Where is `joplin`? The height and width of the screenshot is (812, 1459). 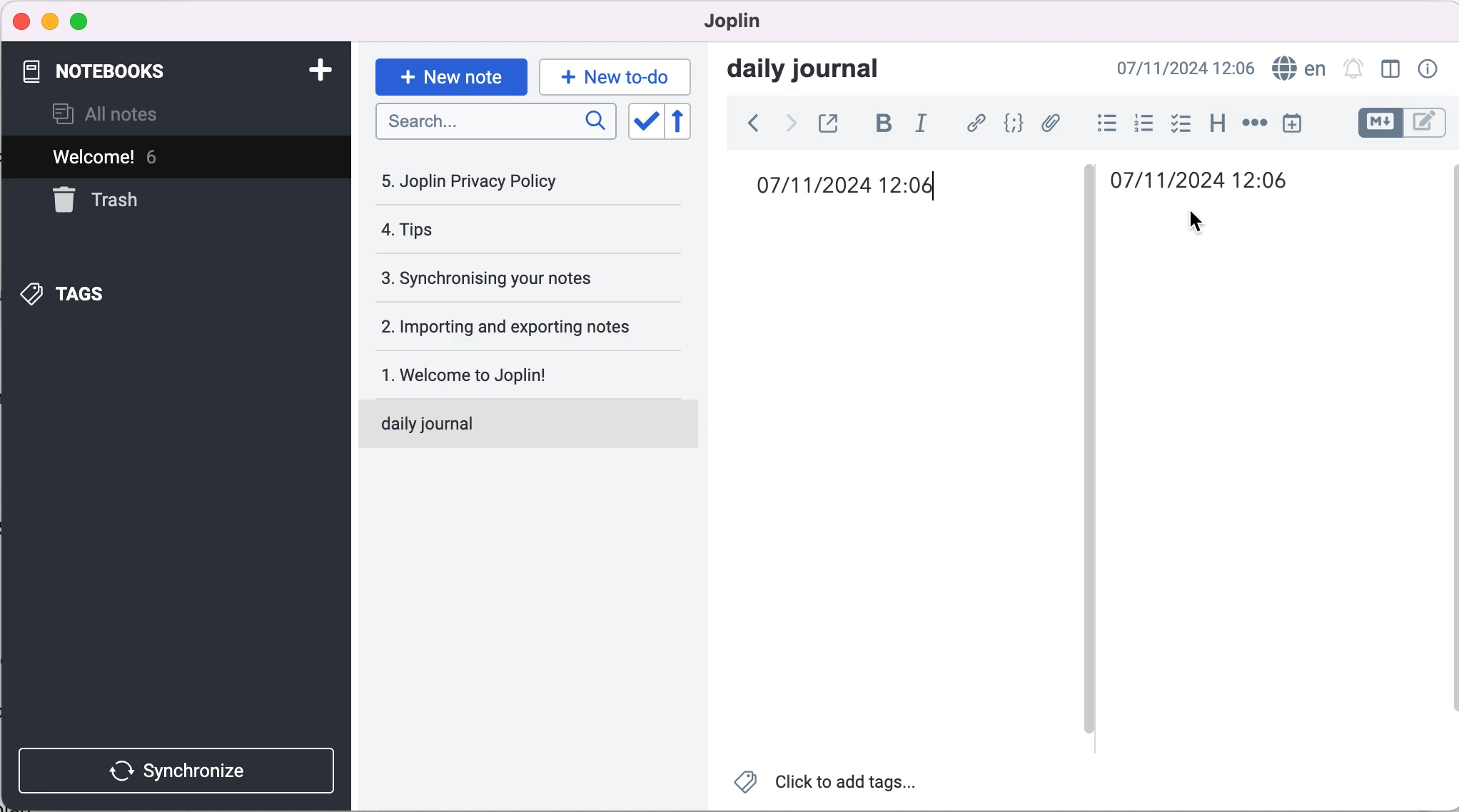 joplin is located at coordinates (754, 23).